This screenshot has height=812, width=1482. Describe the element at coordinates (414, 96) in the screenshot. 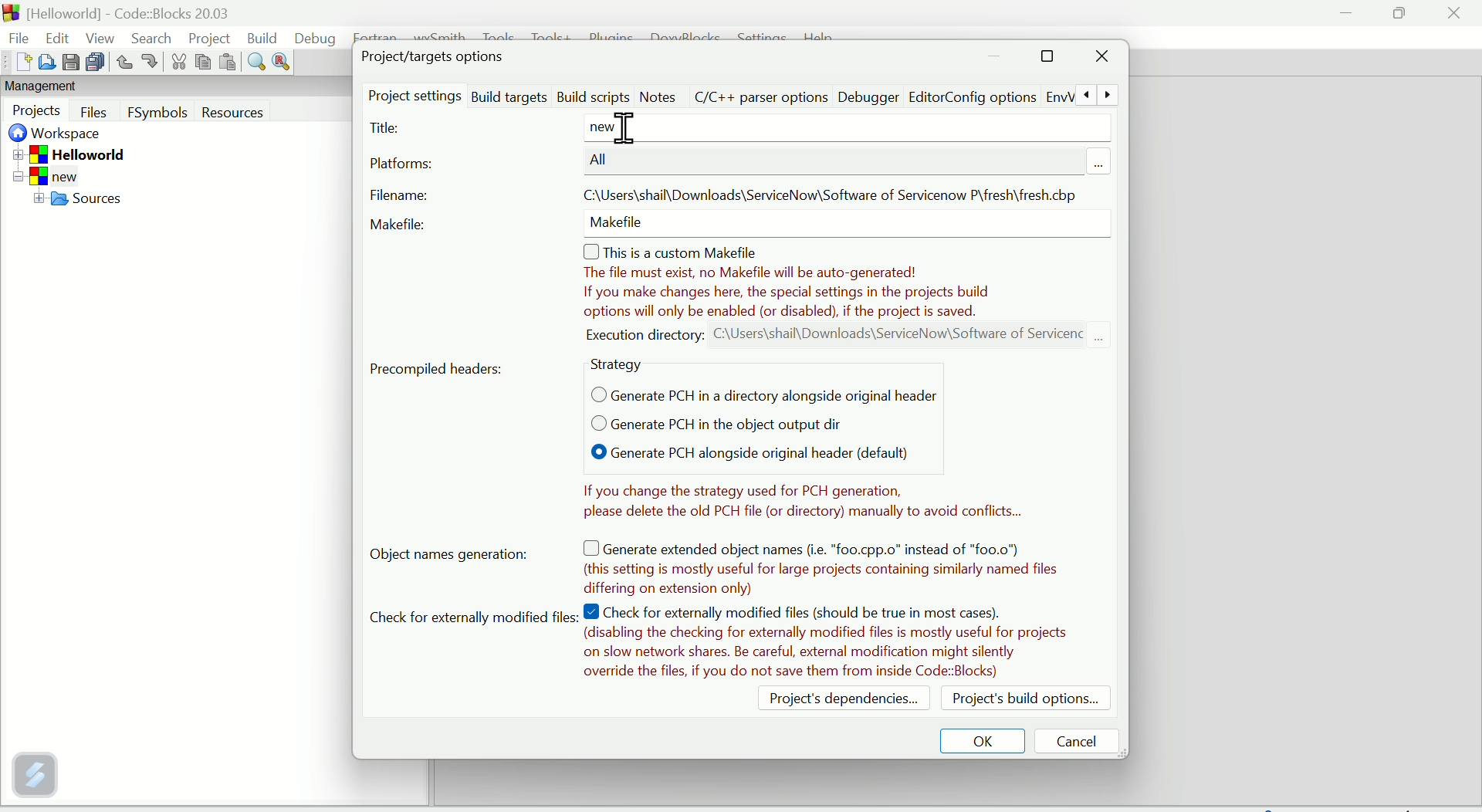

I see `Project setting` at that location.